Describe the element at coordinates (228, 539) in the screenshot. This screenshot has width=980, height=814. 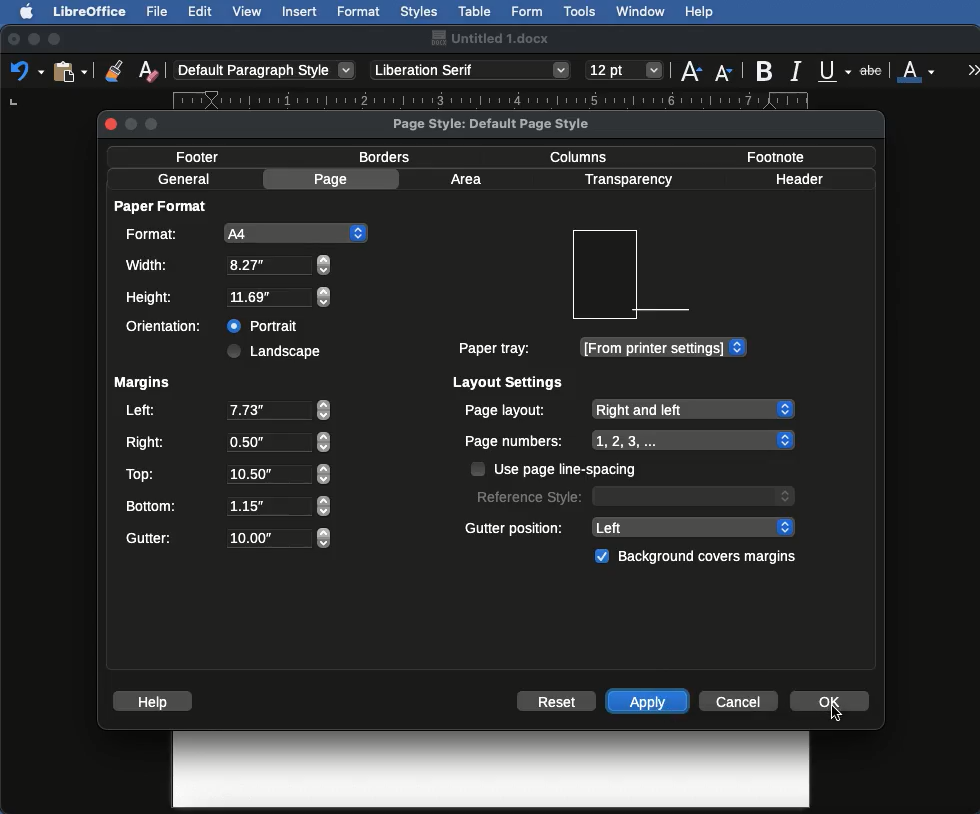
I see `Gutter` at that location.